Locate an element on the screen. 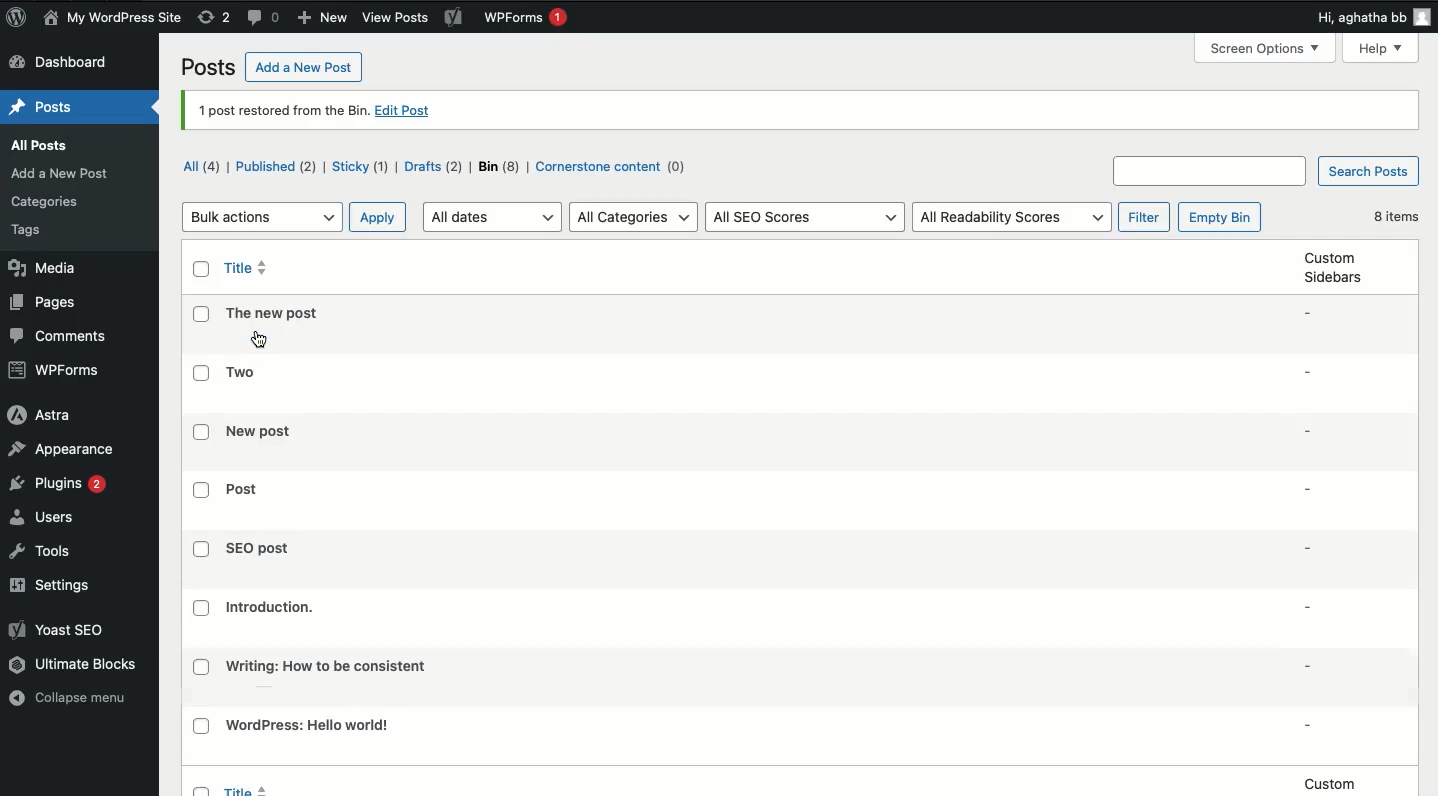 The width and height of the screenshot is (1438, 796). Appearance  is located at coordinates (62, 451).